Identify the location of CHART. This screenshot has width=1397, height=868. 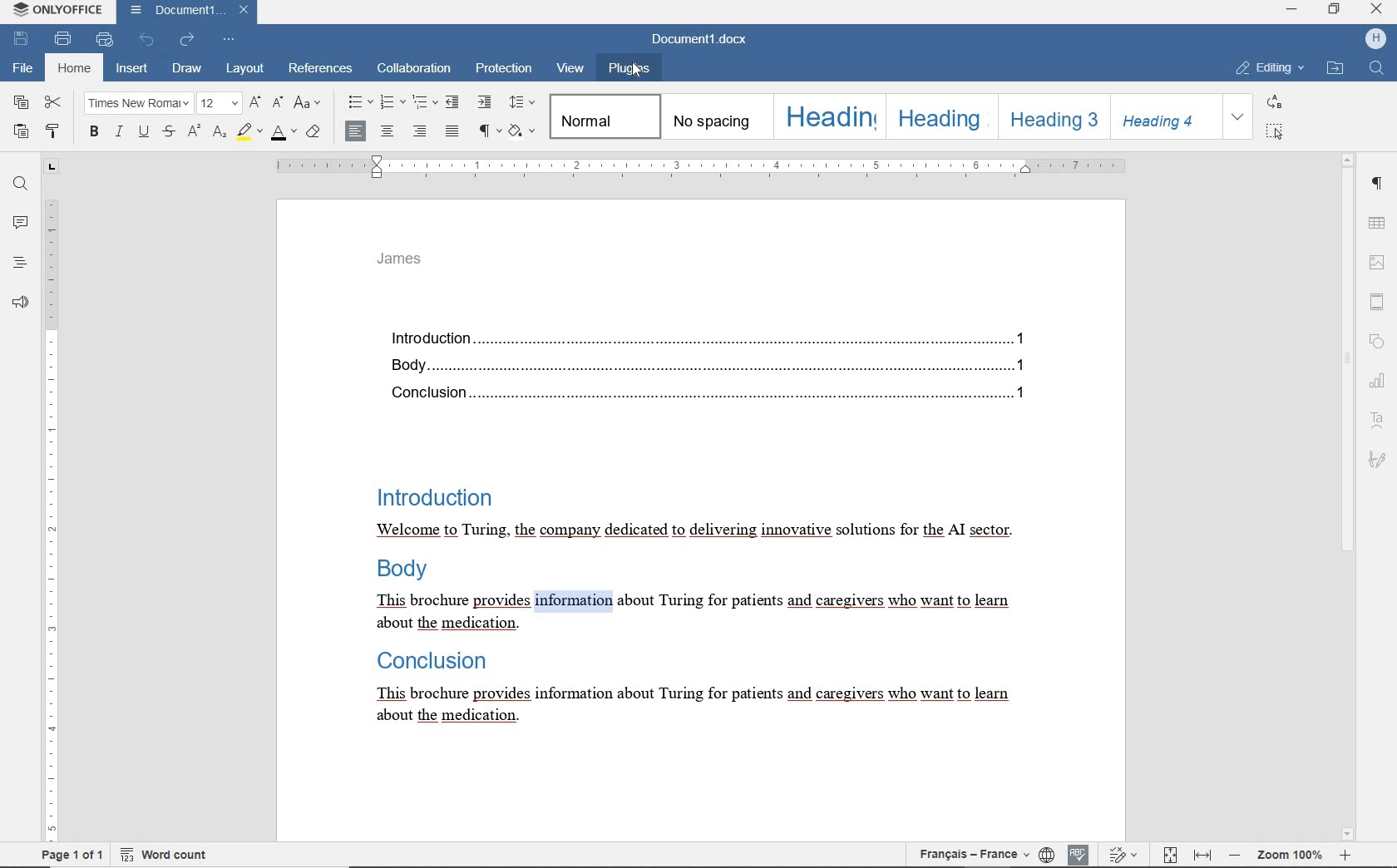
(1379, 379).